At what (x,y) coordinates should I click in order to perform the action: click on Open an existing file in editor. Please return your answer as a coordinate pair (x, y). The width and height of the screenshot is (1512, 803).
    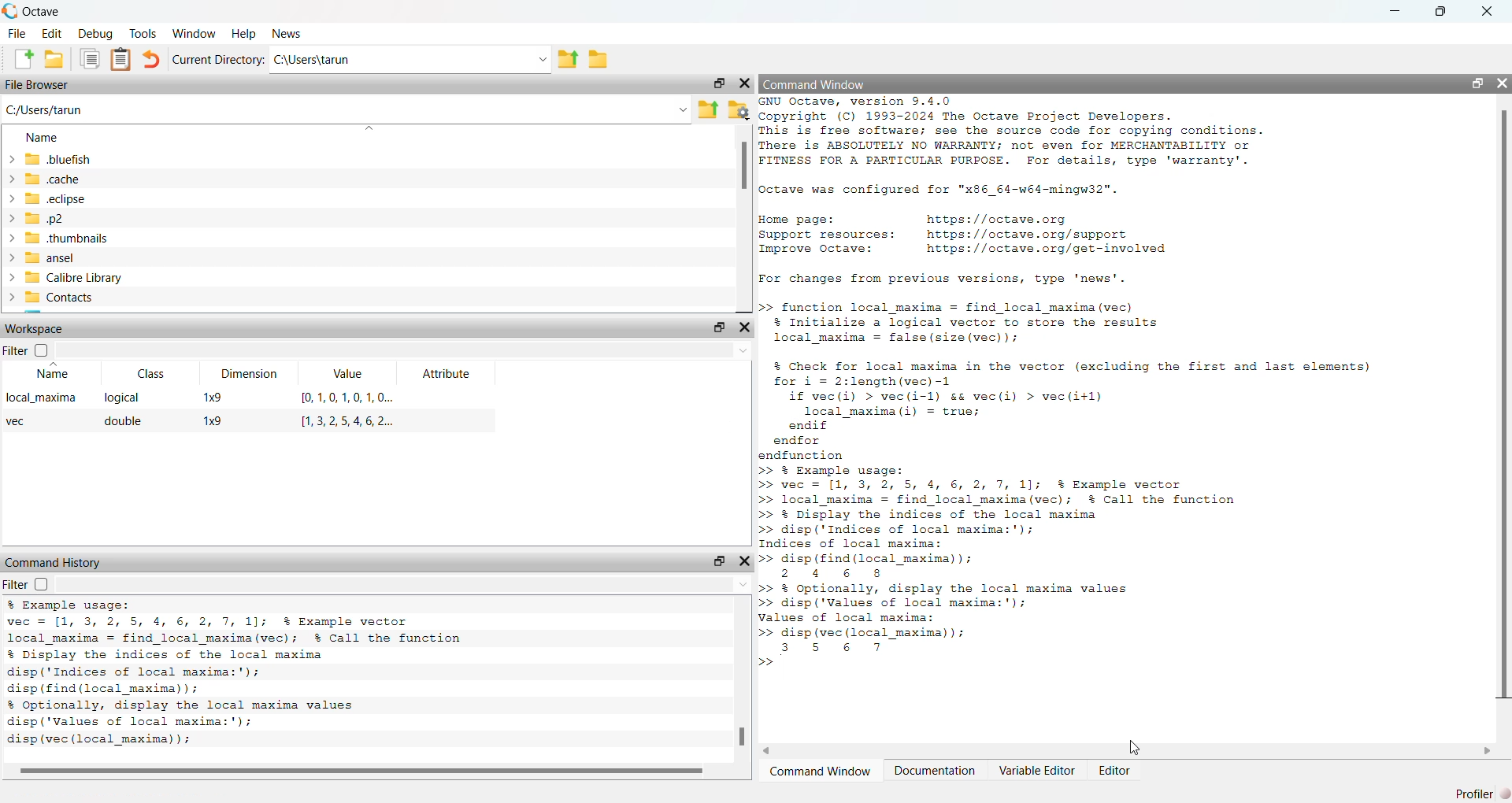
    Looking at the image, I should click on (54, 58).